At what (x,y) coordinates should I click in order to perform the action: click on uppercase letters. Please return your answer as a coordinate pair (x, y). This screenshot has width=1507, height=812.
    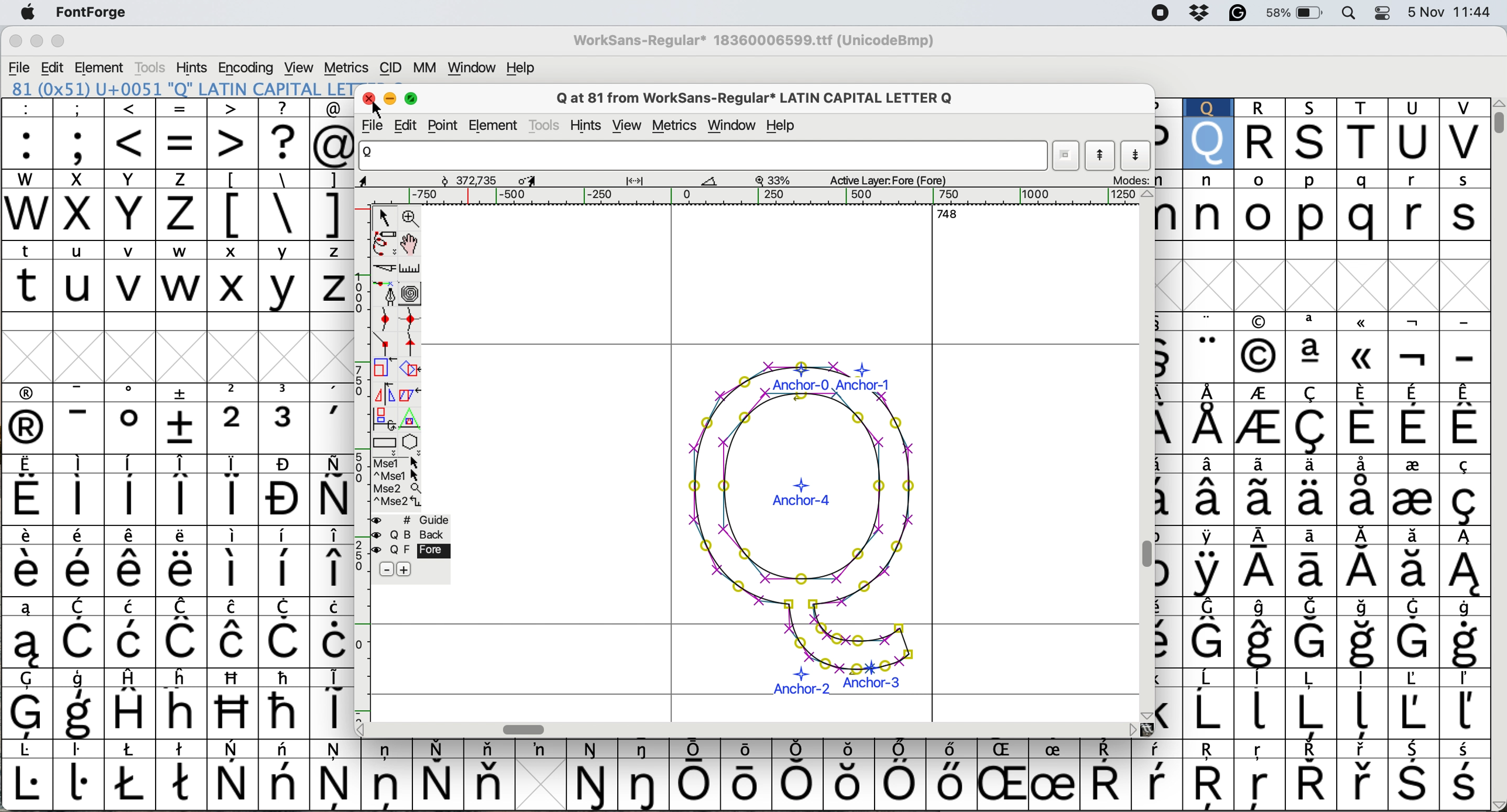
    Looking at the image, I should click on (112, 180).